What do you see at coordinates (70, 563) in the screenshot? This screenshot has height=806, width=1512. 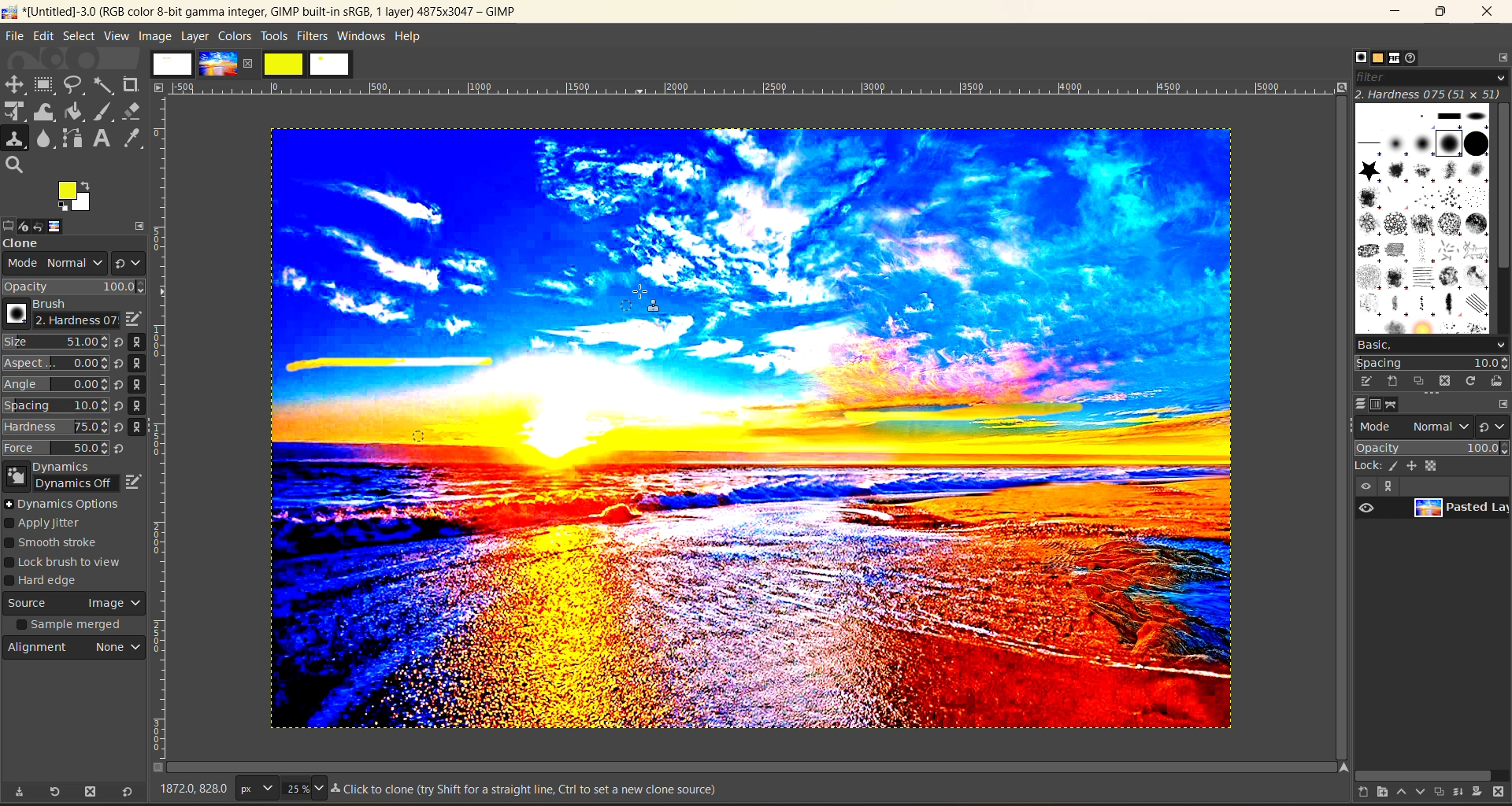 I see `lock brush to view` at bounding box center [70, 563].